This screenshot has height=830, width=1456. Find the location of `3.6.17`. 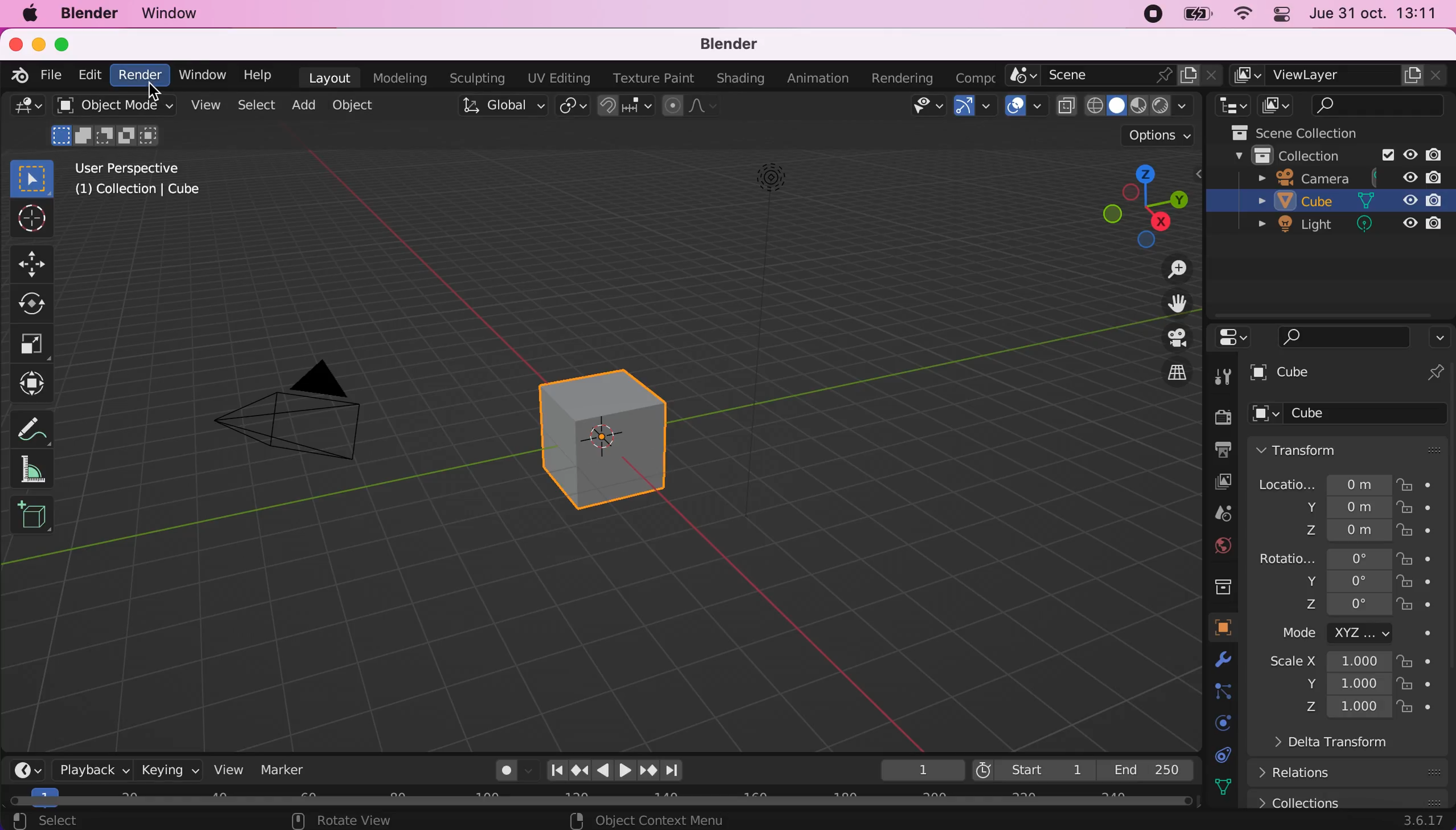

3.6.17 is located at coordinates (1420, 822).